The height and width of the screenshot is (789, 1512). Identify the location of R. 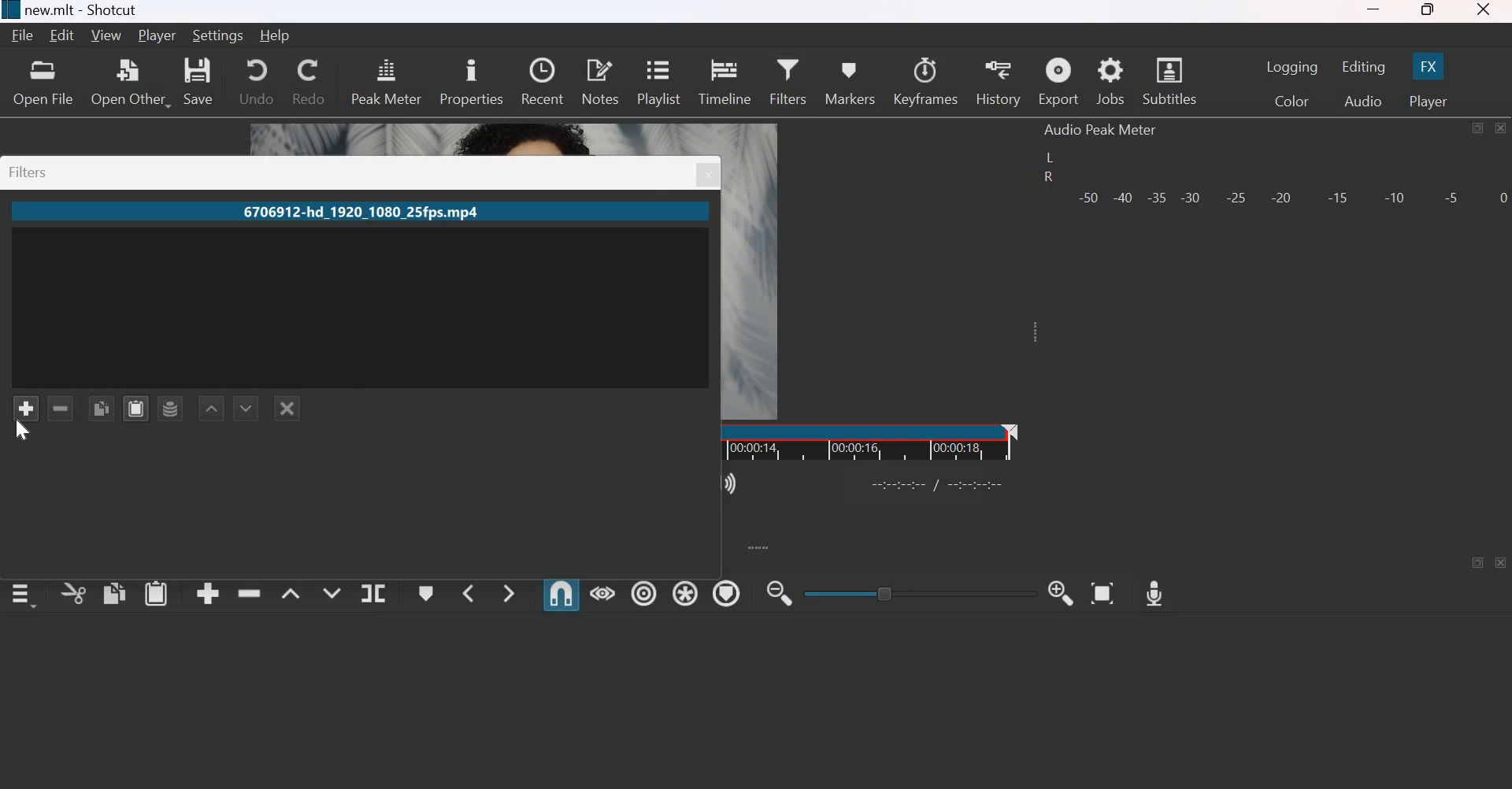
(1047, 179).